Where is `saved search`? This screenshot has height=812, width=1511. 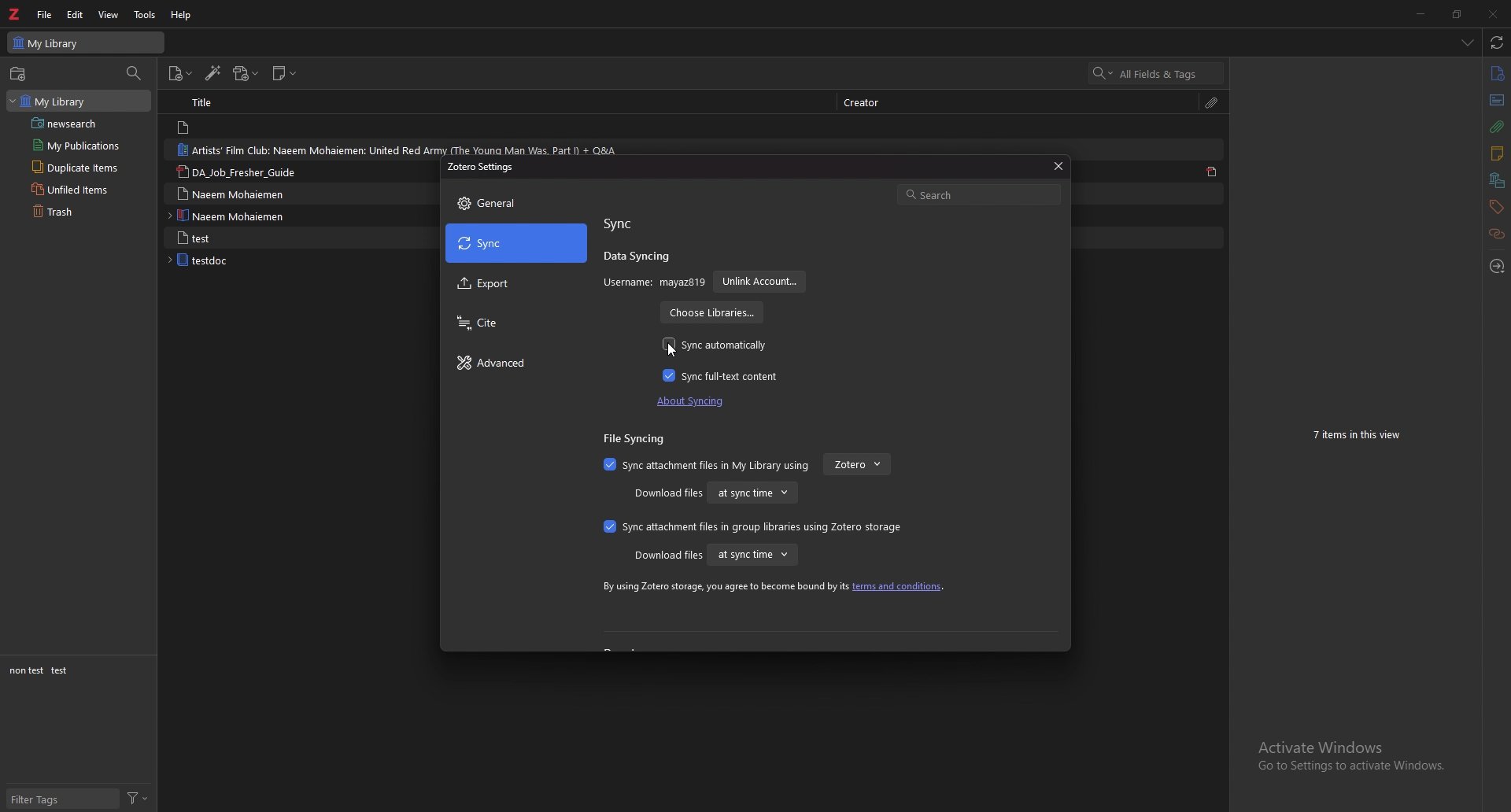 saved search is located at coordinates (84, 124).